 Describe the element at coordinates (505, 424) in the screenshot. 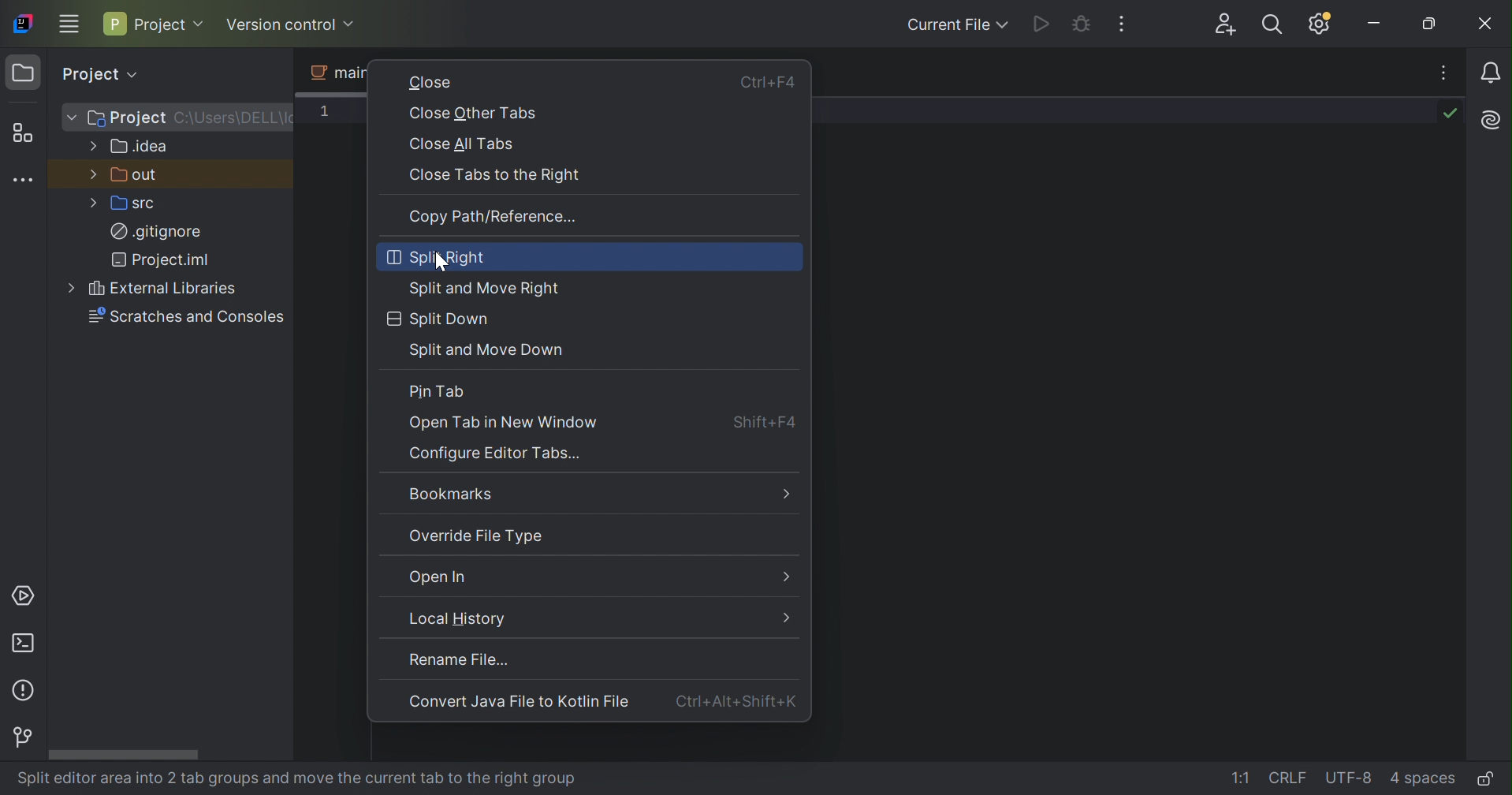

I see `Open tab in new window` at that location.